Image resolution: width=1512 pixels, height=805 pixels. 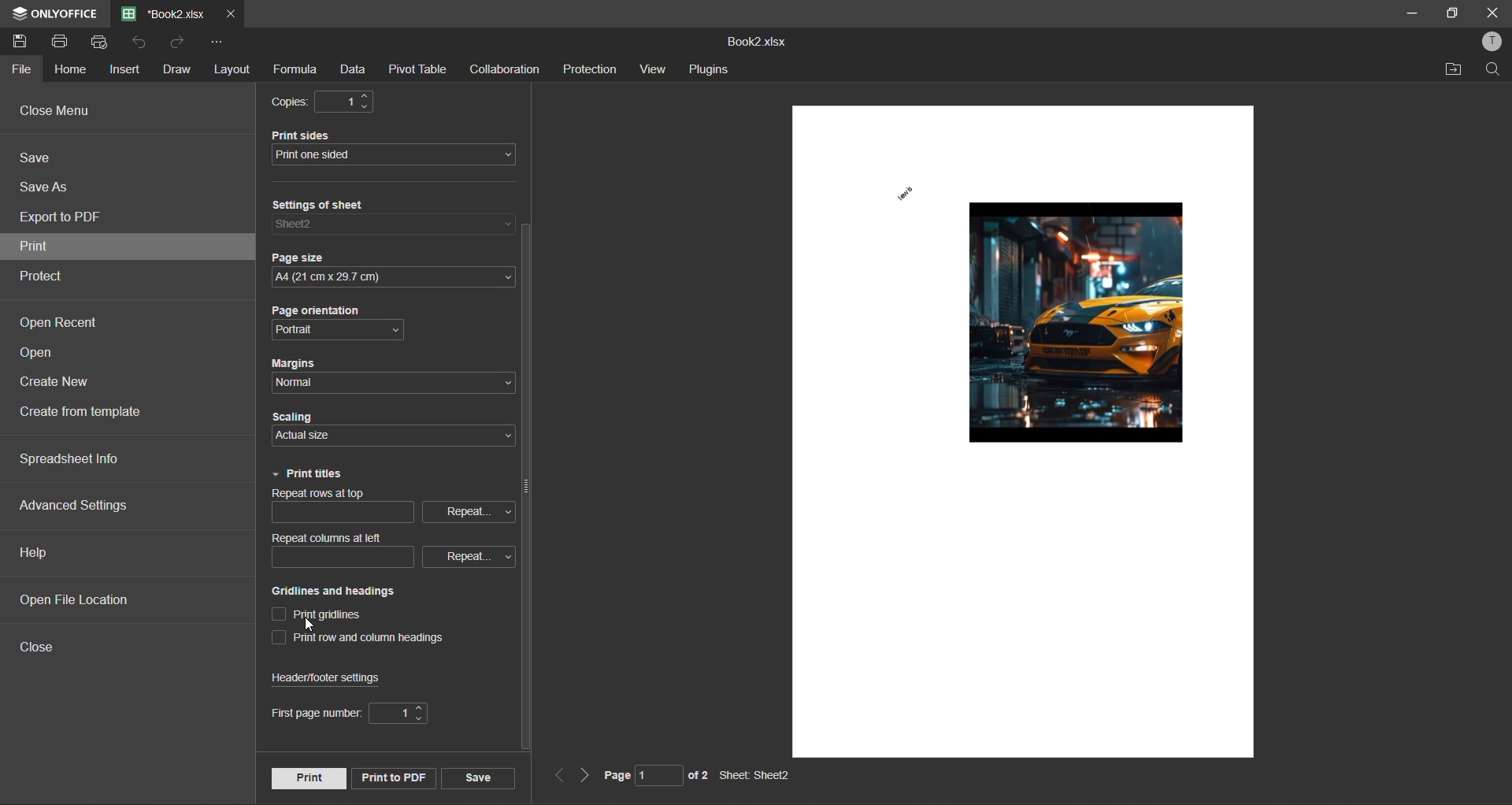 What do you see at coordinates (306, 474) in the screenshot?
I see `print titles` at bounding box center [306, 474].